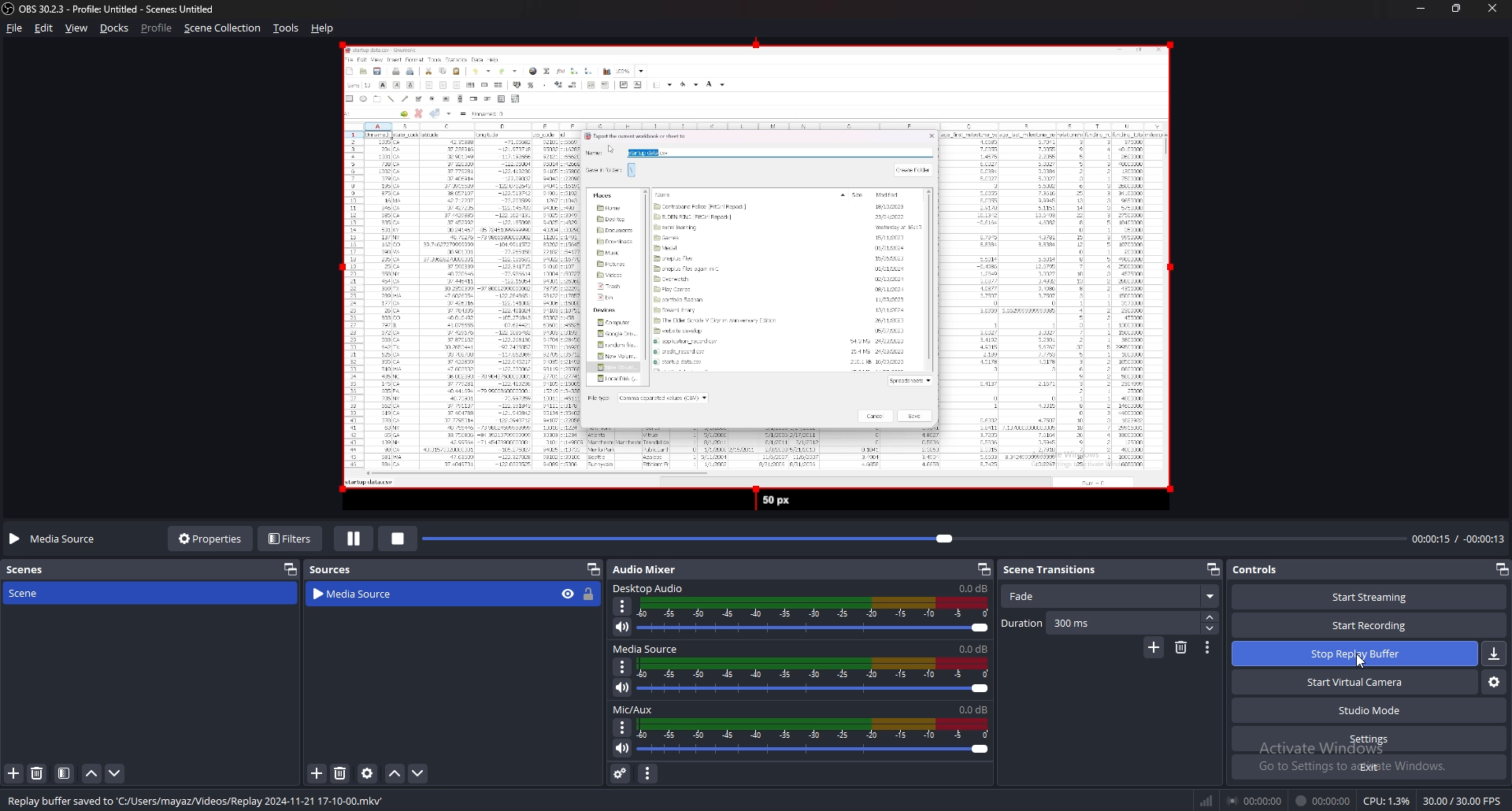 This screenshot has height=811, width=1512. Describe the element at coordinates (623, 687) in the screenshot. I see `mute` at that location.